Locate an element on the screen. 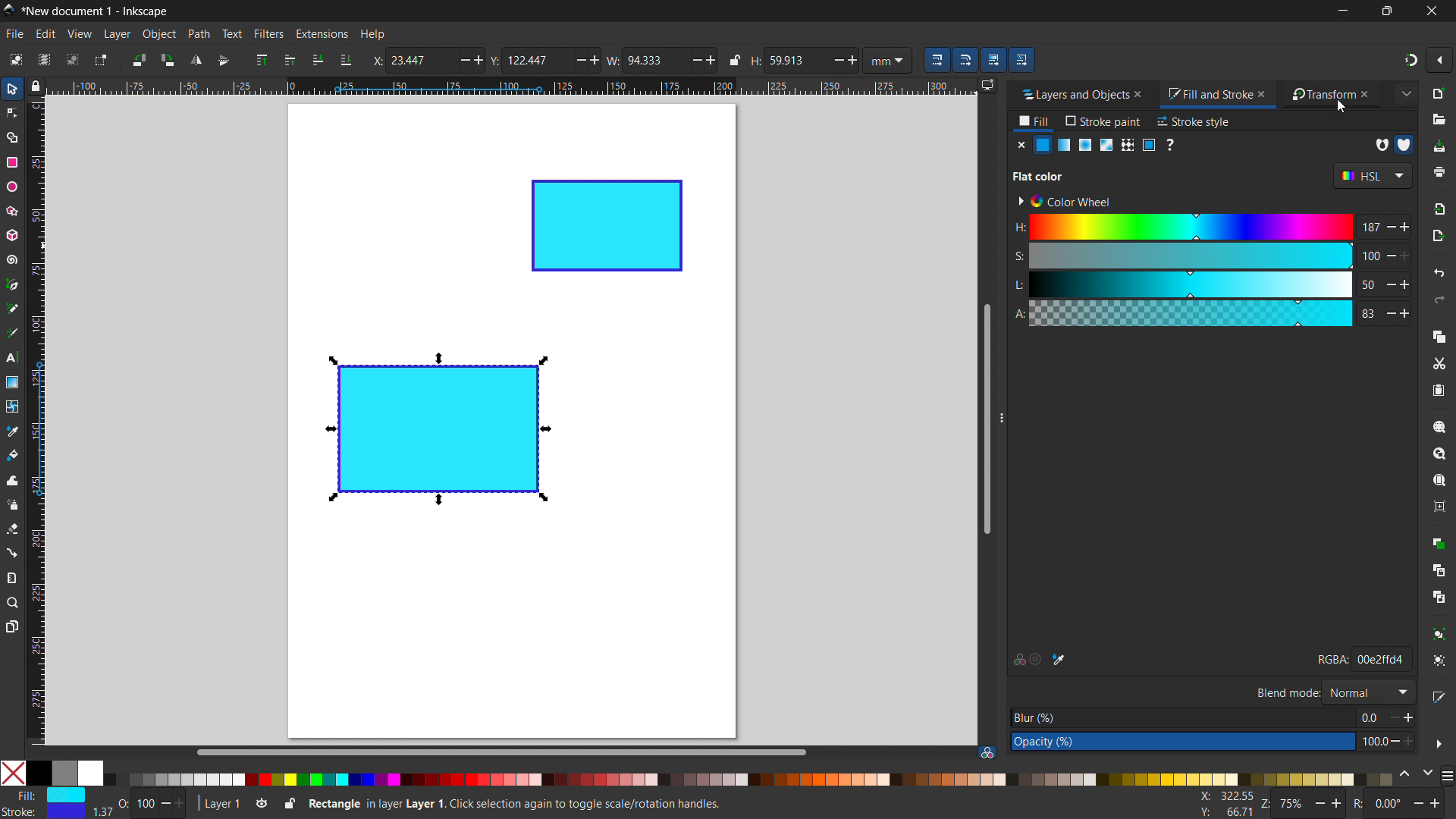 Image resolution: width=1456 pixels, height=819 pixels. node tool is located at coordinates (11, 111).